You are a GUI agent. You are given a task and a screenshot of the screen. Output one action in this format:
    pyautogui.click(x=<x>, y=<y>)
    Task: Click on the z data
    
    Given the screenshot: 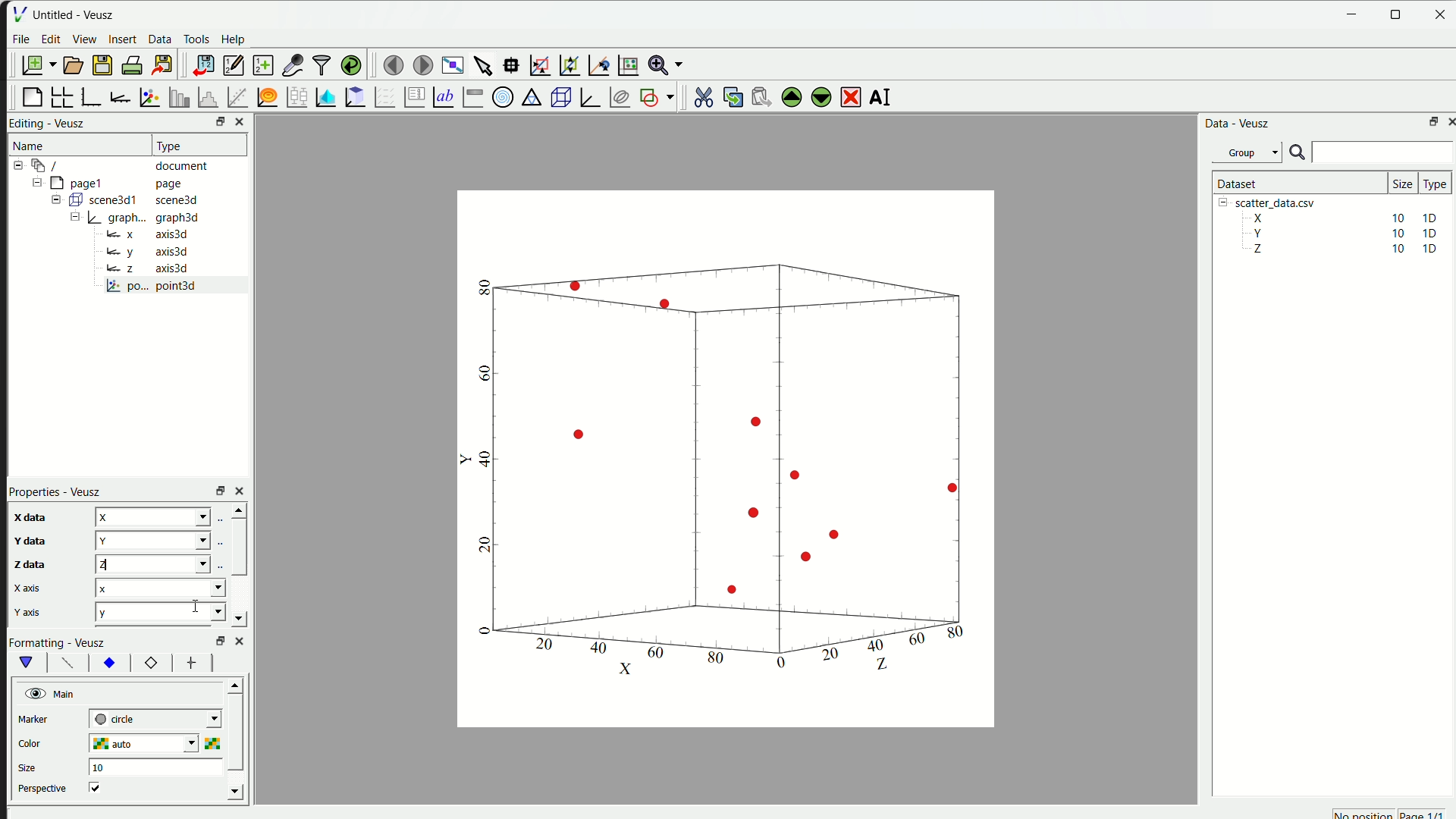 What is the action you would take?
    pyautogui.click(x=26, y=563)
    